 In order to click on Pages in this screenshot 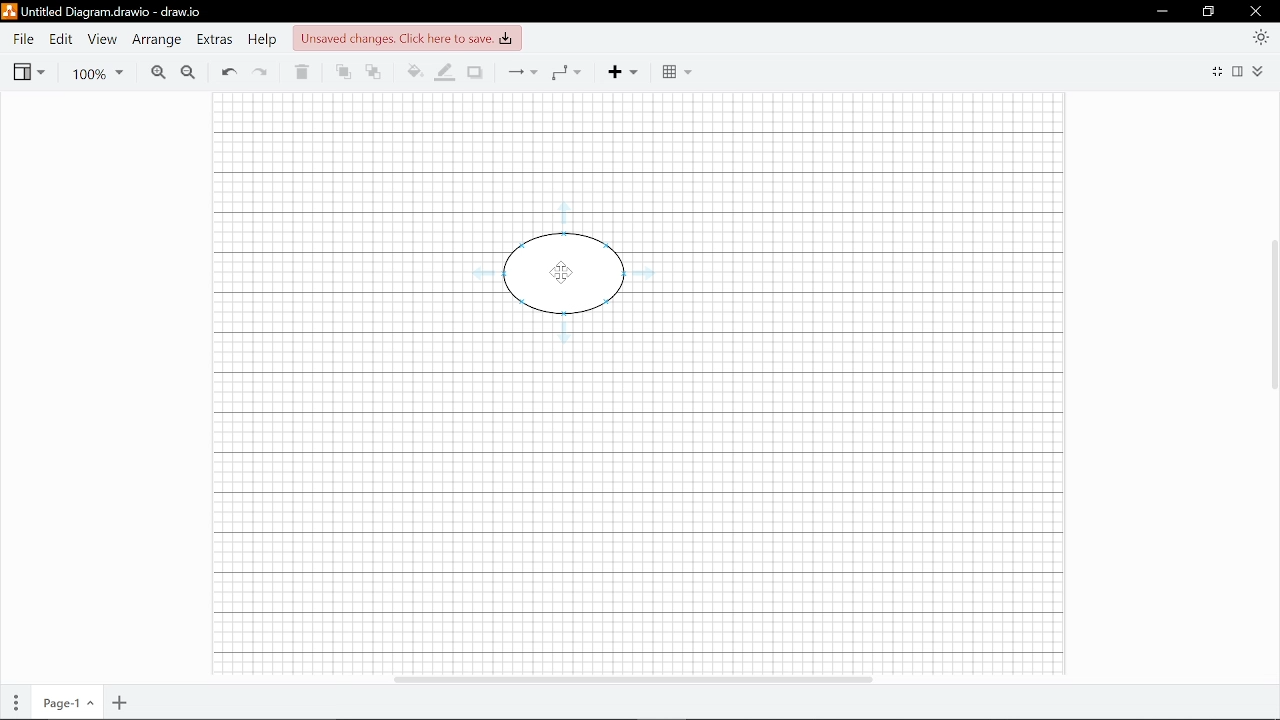, I will do `click(17, 703)`.